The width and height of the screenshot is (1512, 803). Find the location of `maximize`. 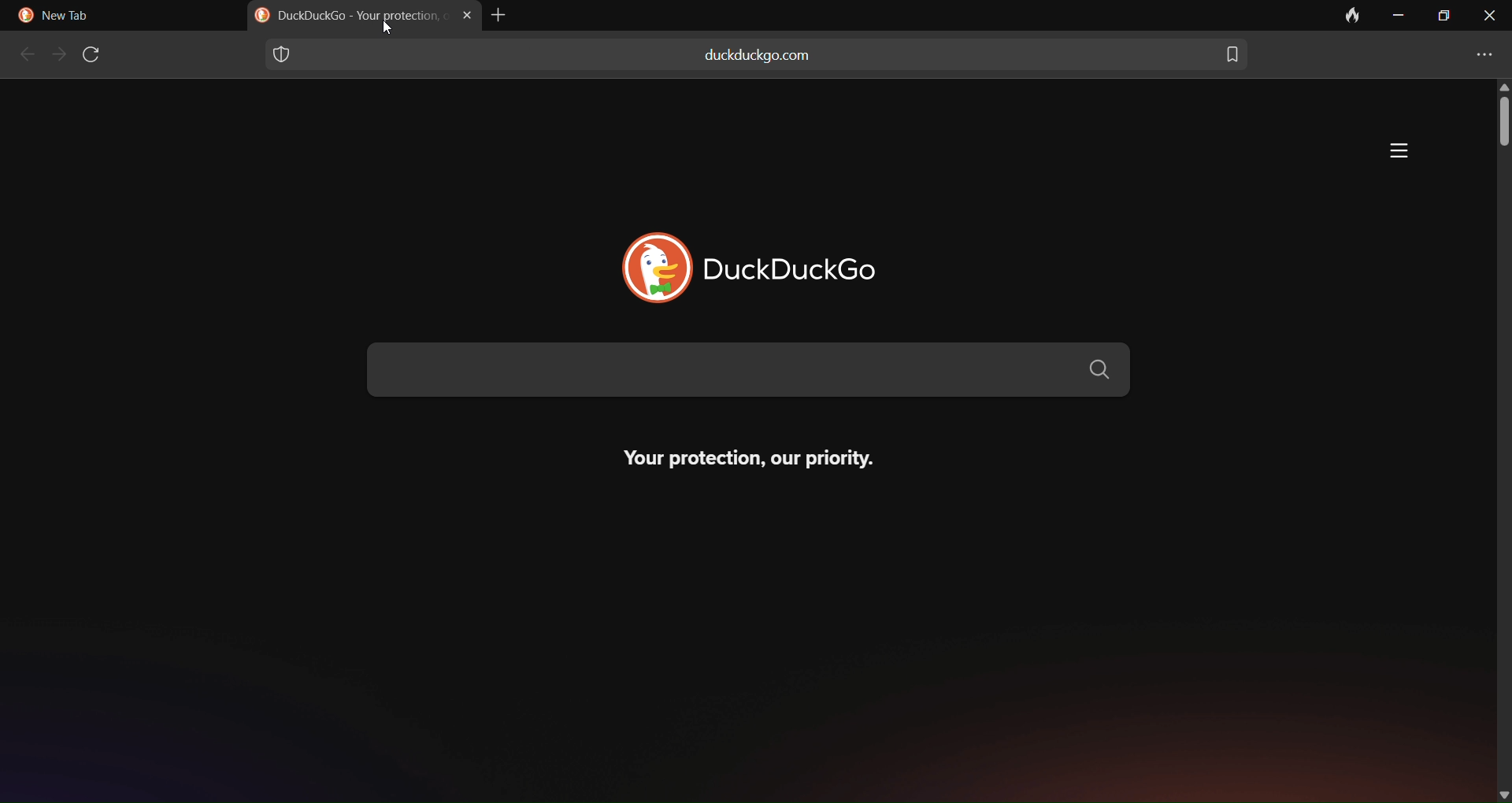

maximize is located at coordinates (1443, 17).